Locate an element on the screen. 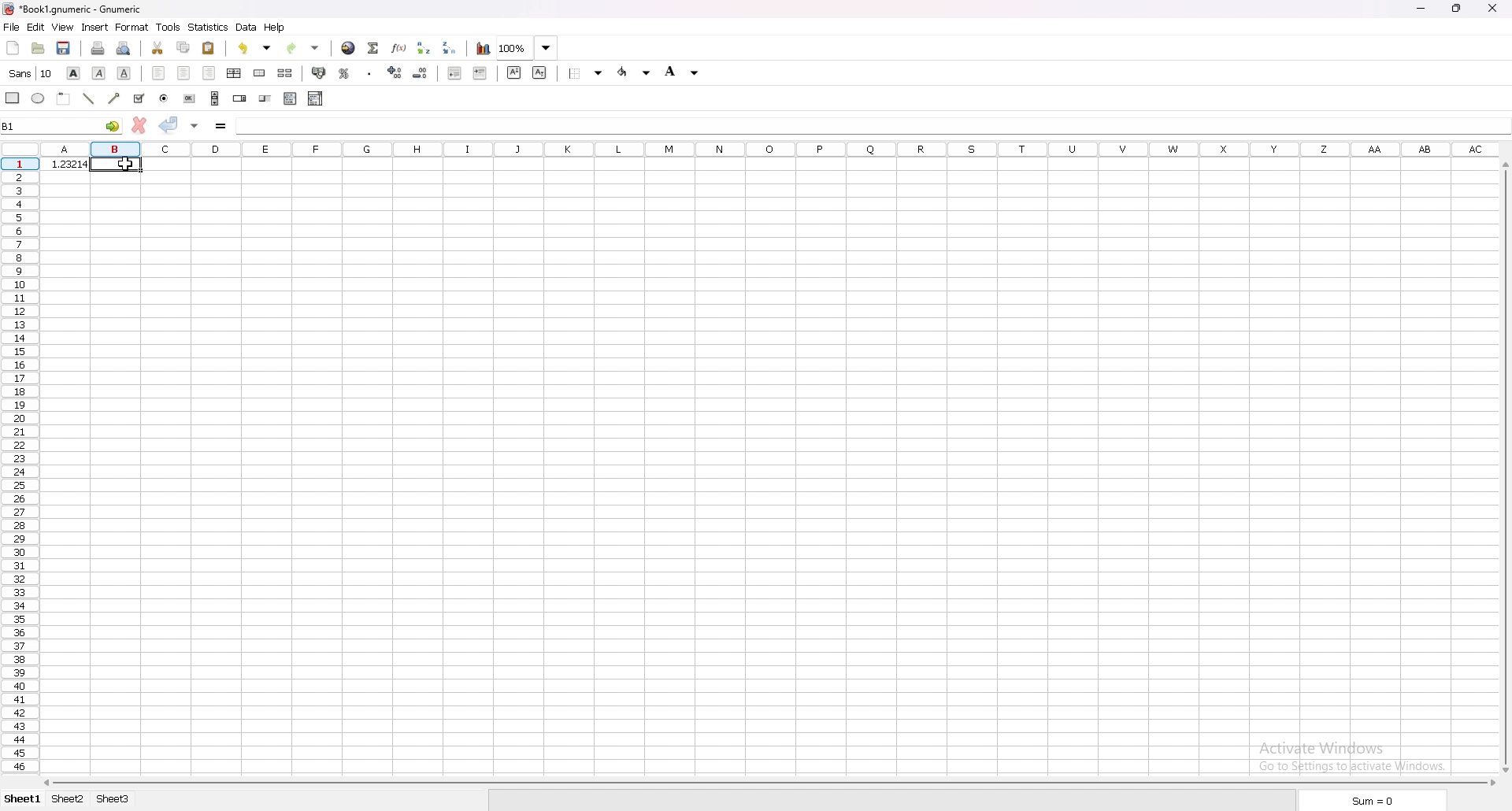  slider is located at coordinates (265, 99).